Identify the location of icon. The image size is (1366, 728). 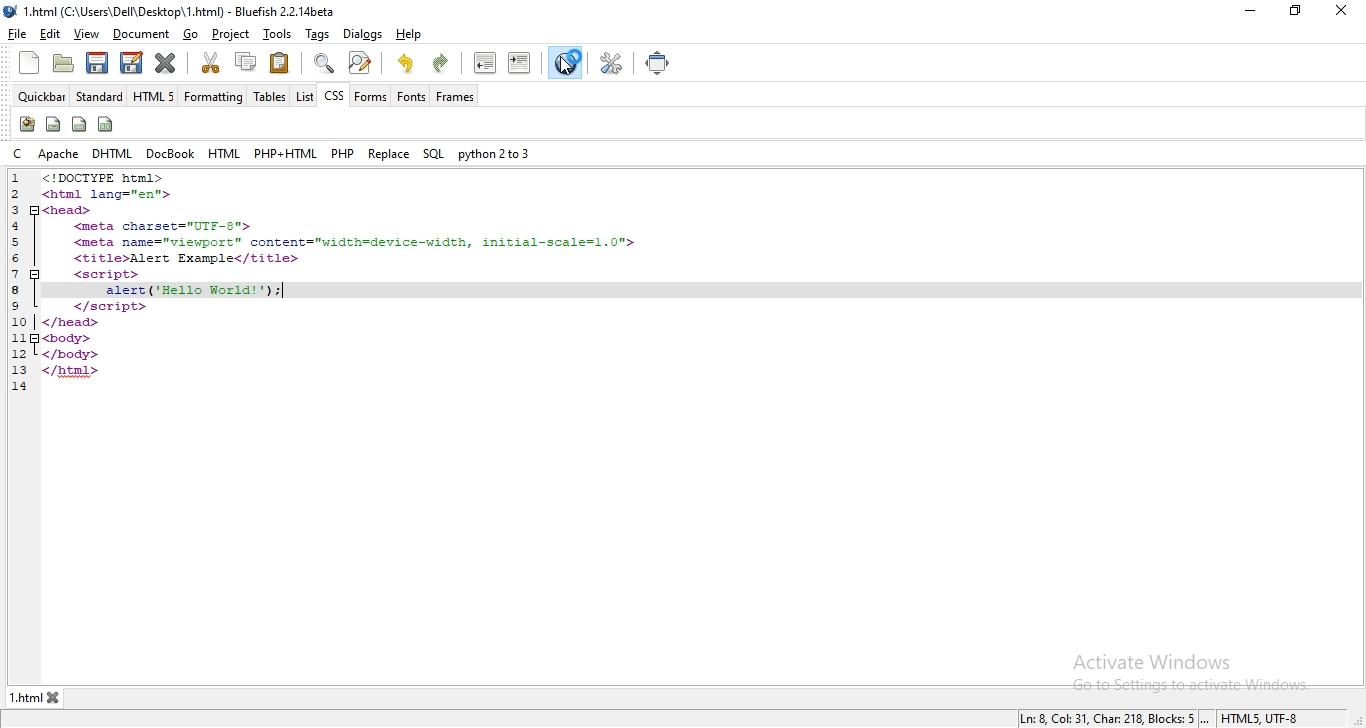
(80, 124).